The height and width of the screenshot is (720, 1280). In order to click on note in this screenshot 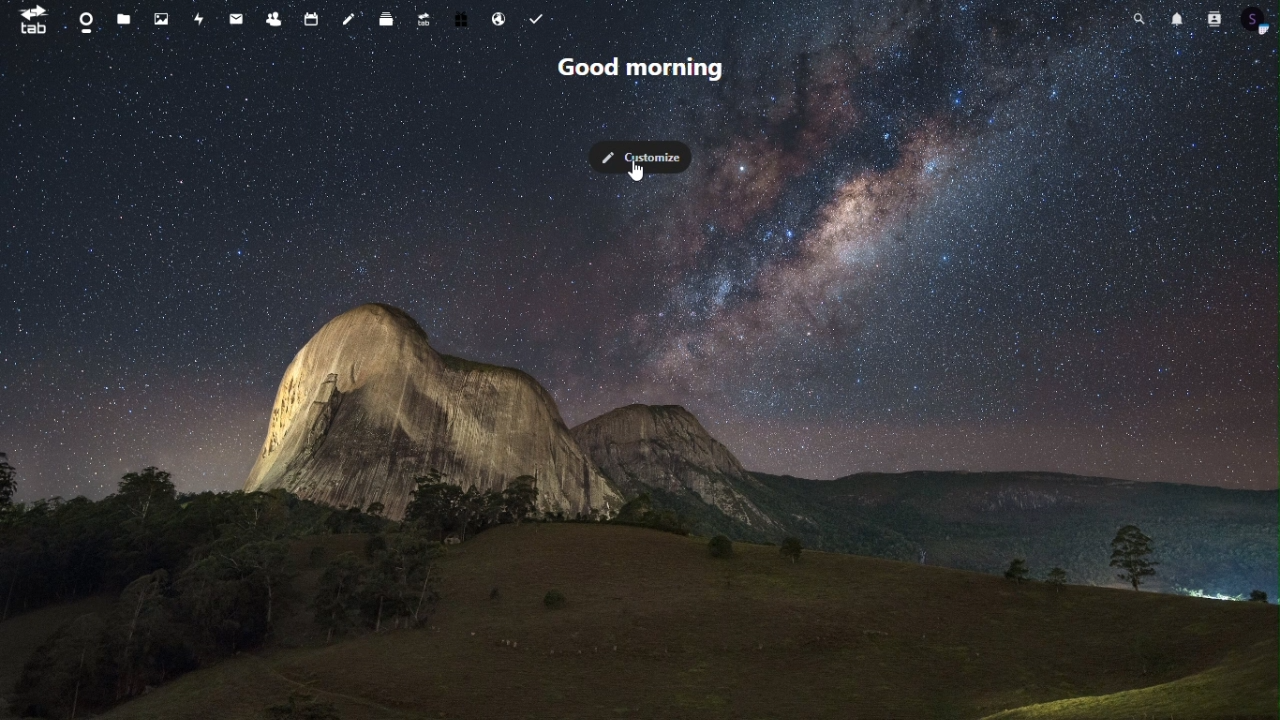, I will do `click(350, 20)`.